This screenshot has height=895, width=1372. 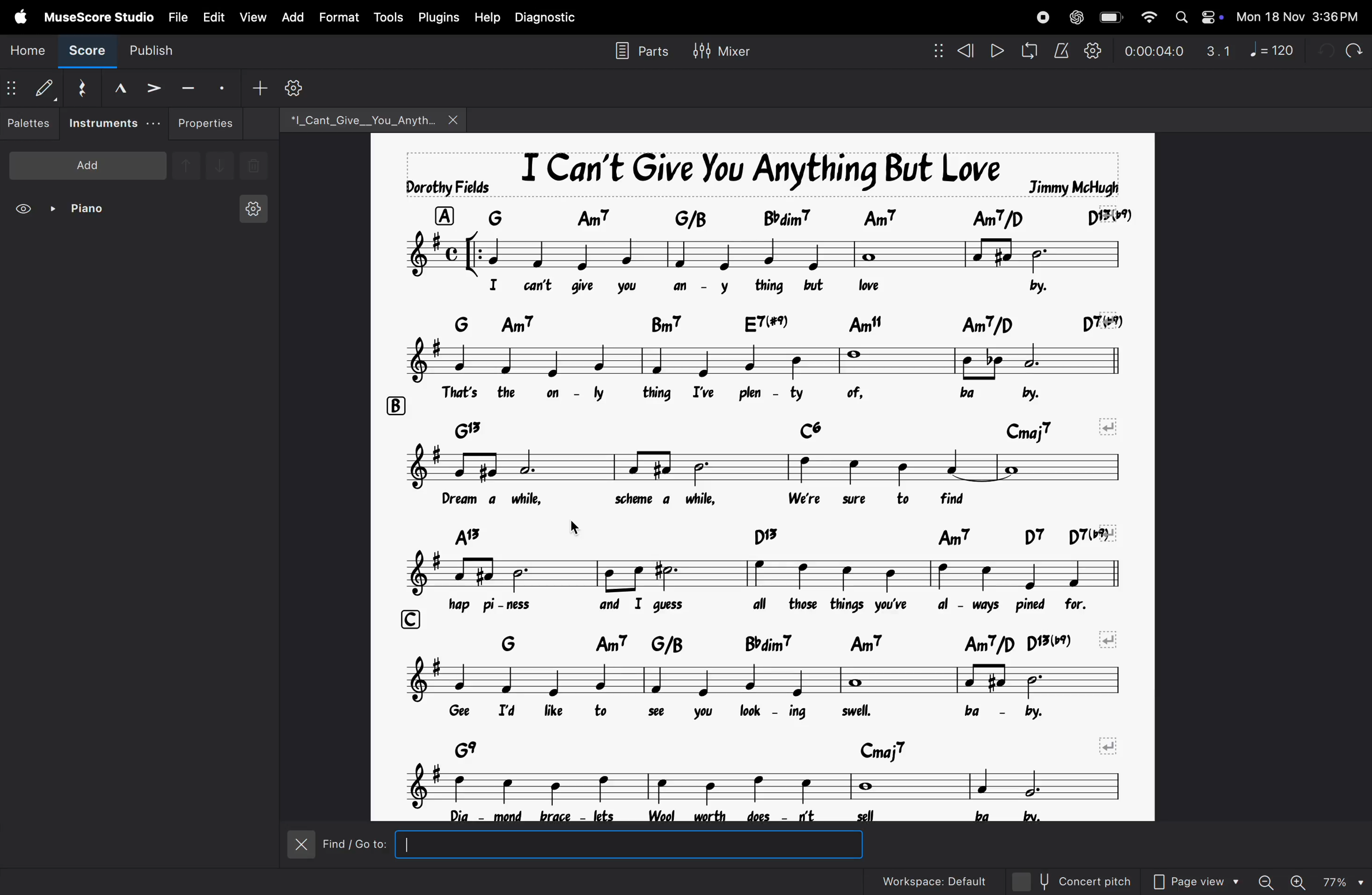 I want to click on edit, so click(x=212, y=14).